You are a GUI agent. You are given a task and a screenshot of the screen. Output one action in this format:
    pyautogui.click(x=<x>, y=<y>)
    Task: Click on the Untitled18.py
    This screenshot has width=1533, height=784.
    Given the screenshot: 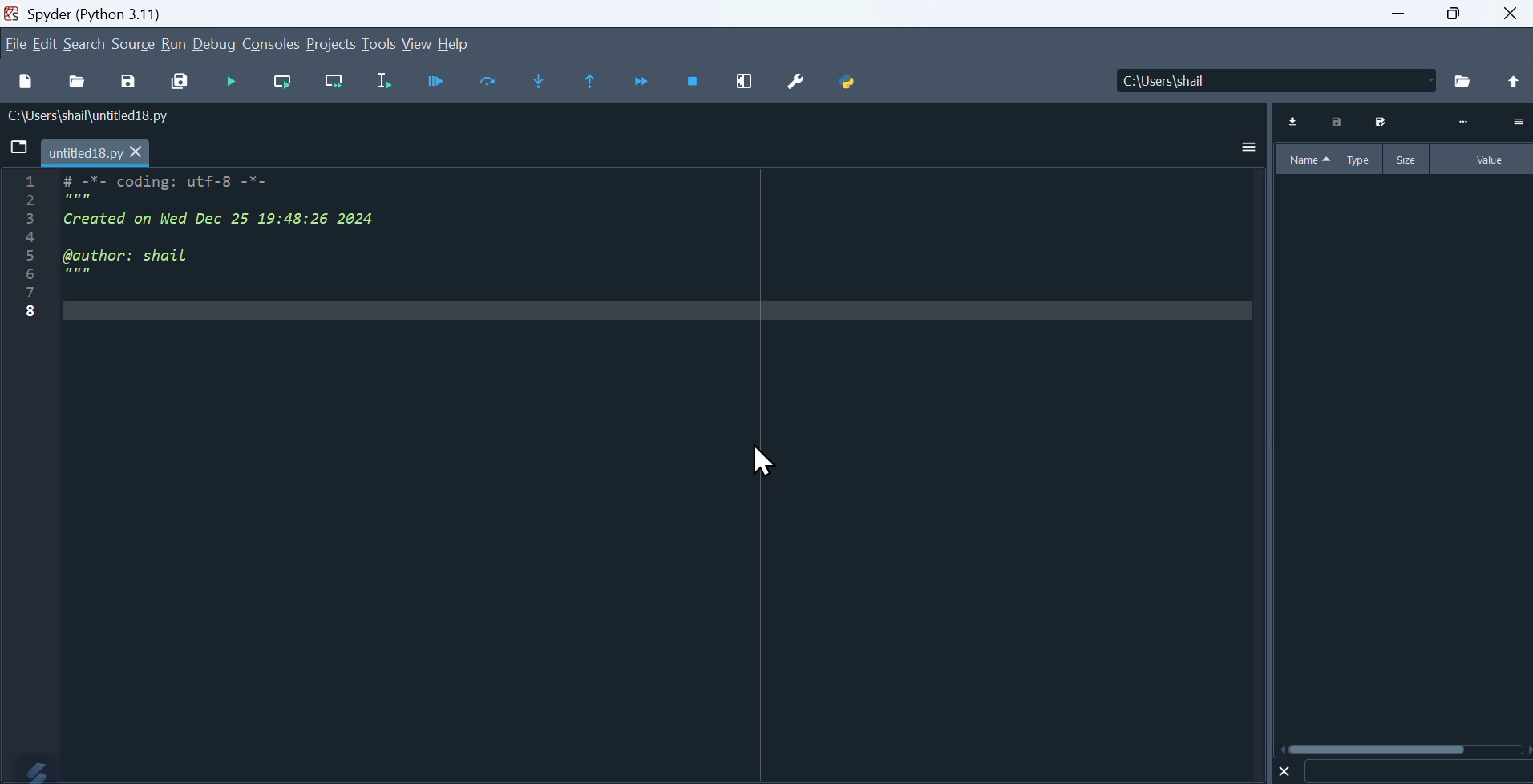 What is the action you would take?
    pyautogui.click(x=96, y=154)
    